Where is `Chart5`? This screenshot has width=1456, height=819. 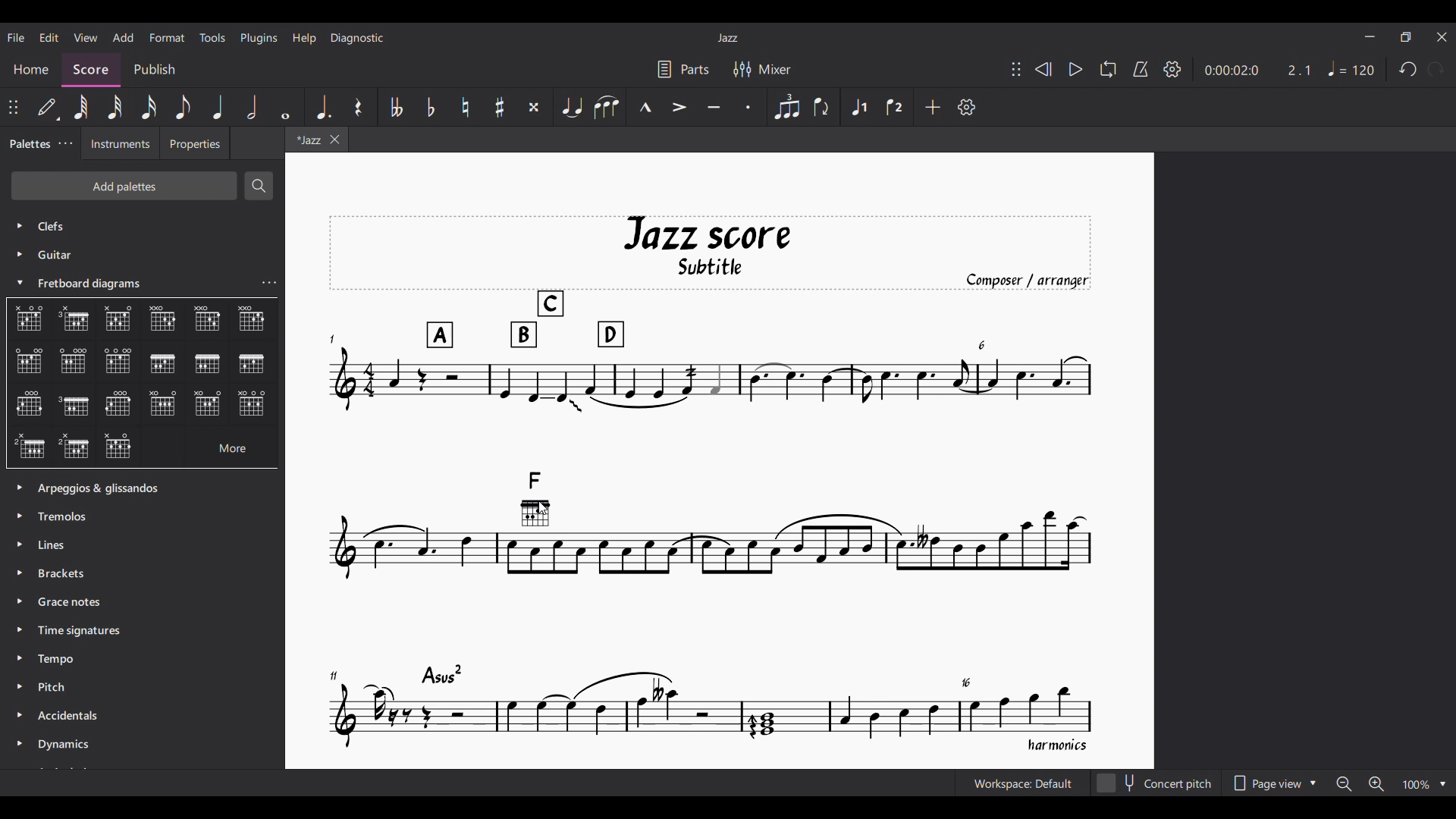
Chart5 is located at coordinates (208, 322).